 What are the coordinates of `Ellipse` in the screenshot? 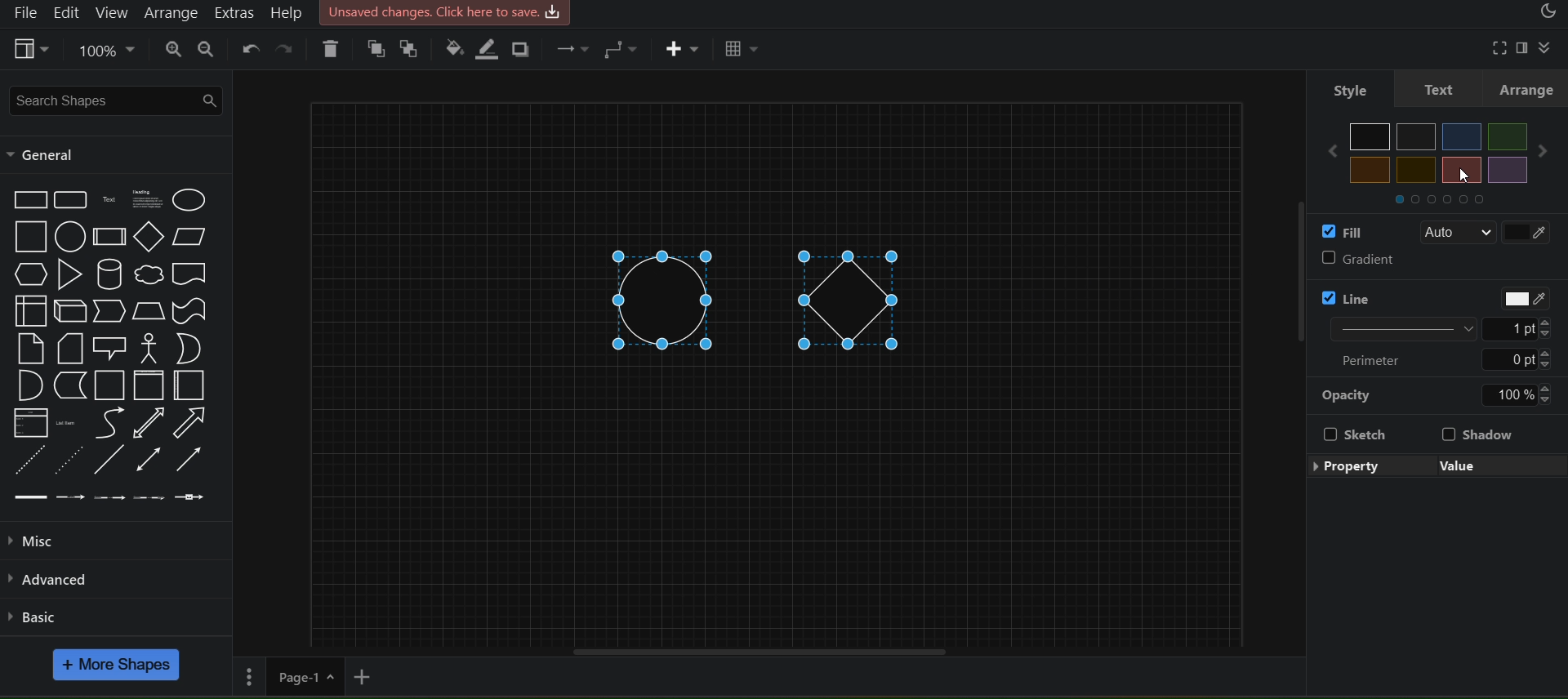 It's located at (191, 199).